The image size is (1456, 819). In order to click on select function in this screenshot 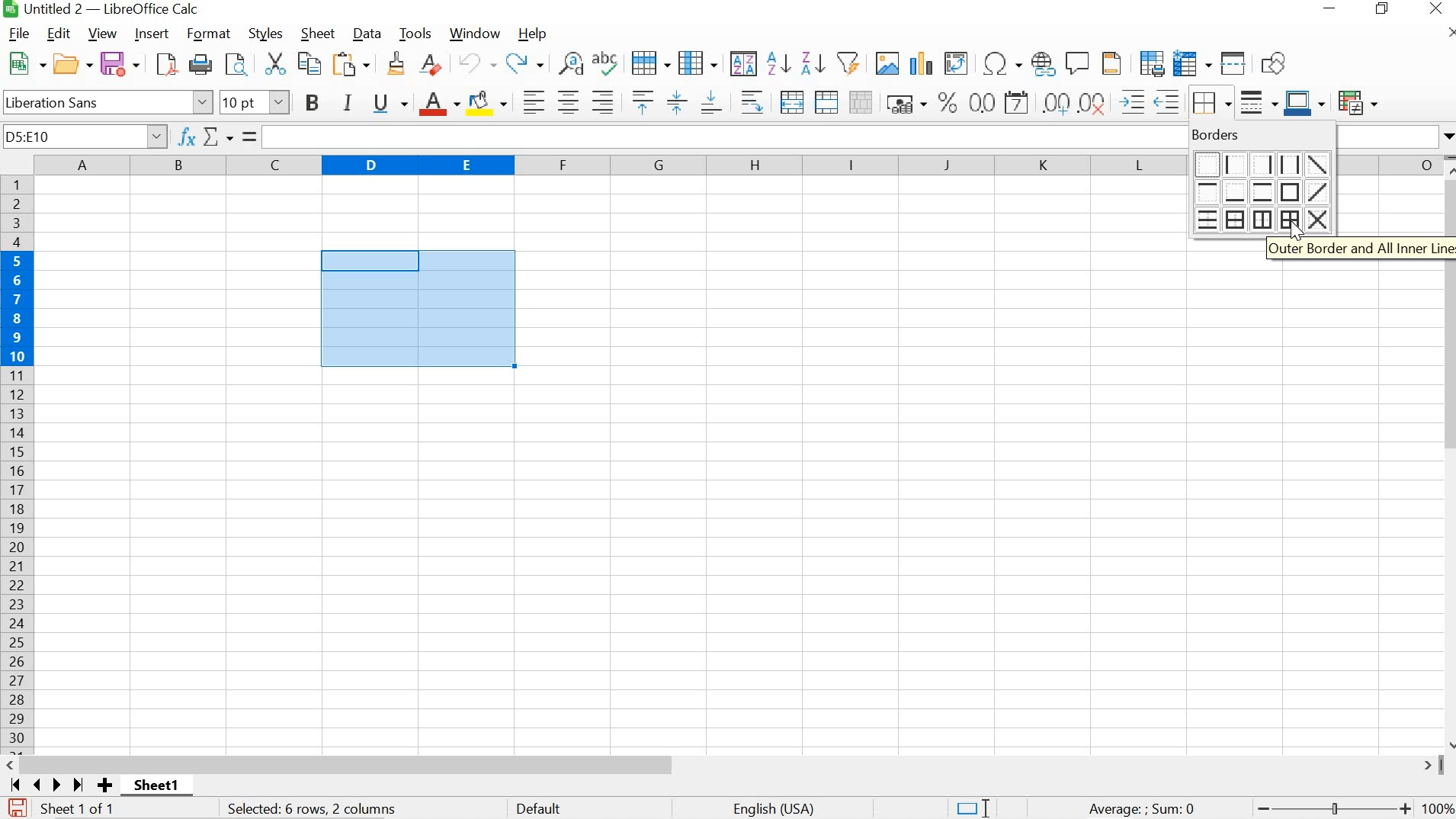, I will do `click(229, 136)`.